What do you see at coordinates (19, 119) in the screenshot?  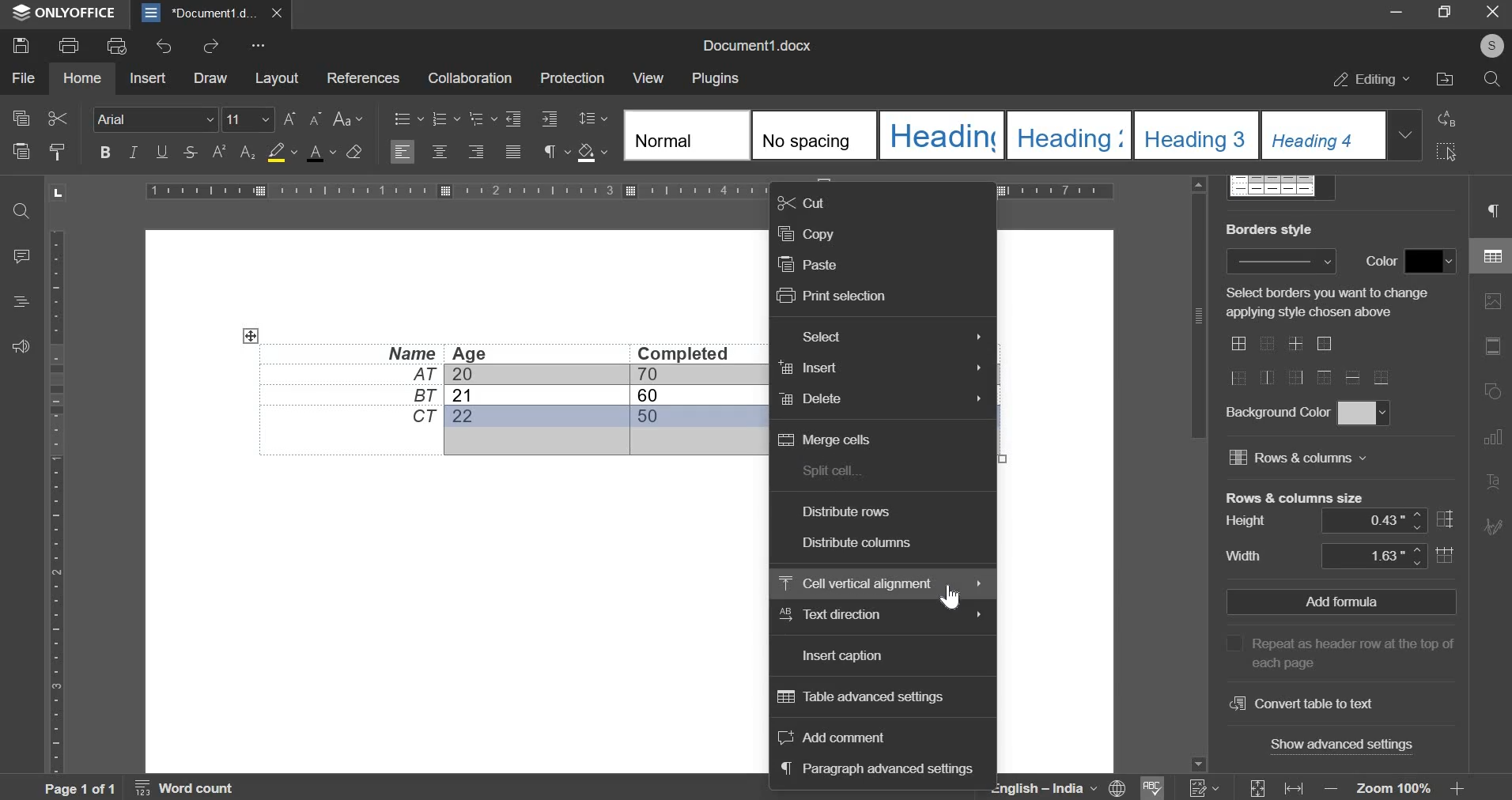 I see `copy` at bounding box center [19, 119].